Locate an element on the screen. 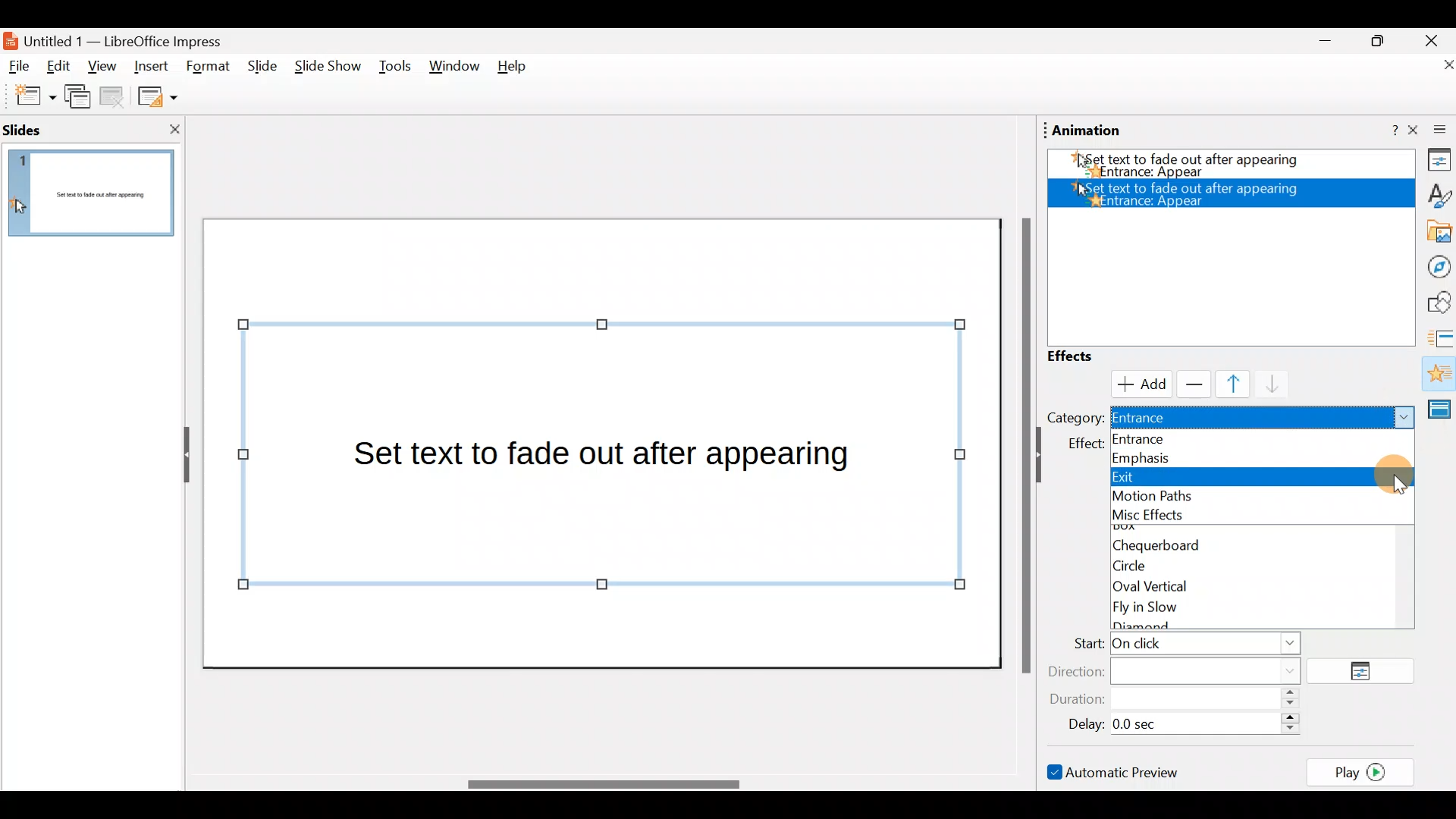 This screenshot has width=1456, height=819. Slides is located at coordinates (49, 129).